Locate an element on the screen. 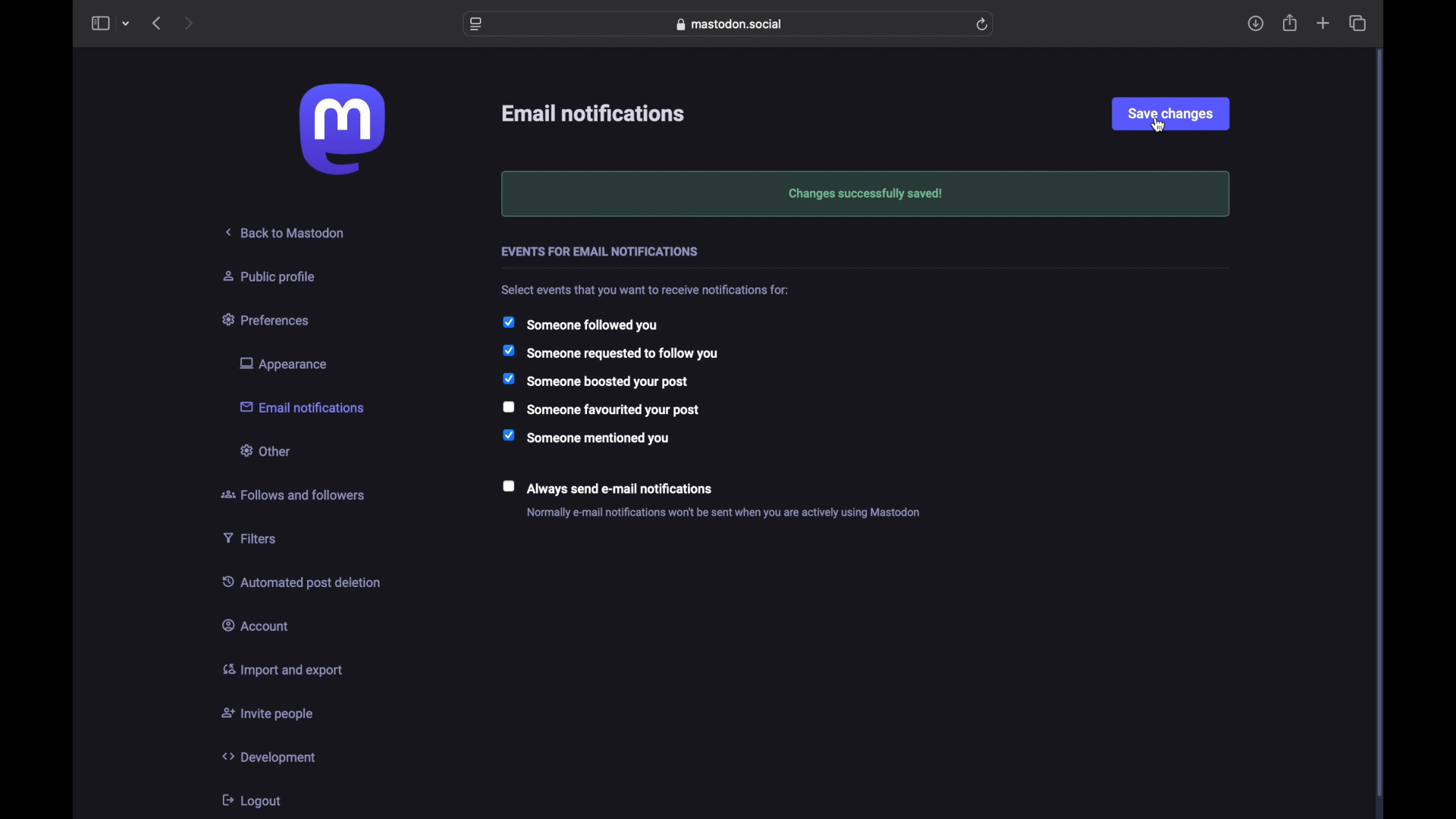 Image resolution: width=1456 pixels, height=819 pixels. sidebar is located at coordinates (99, 23).